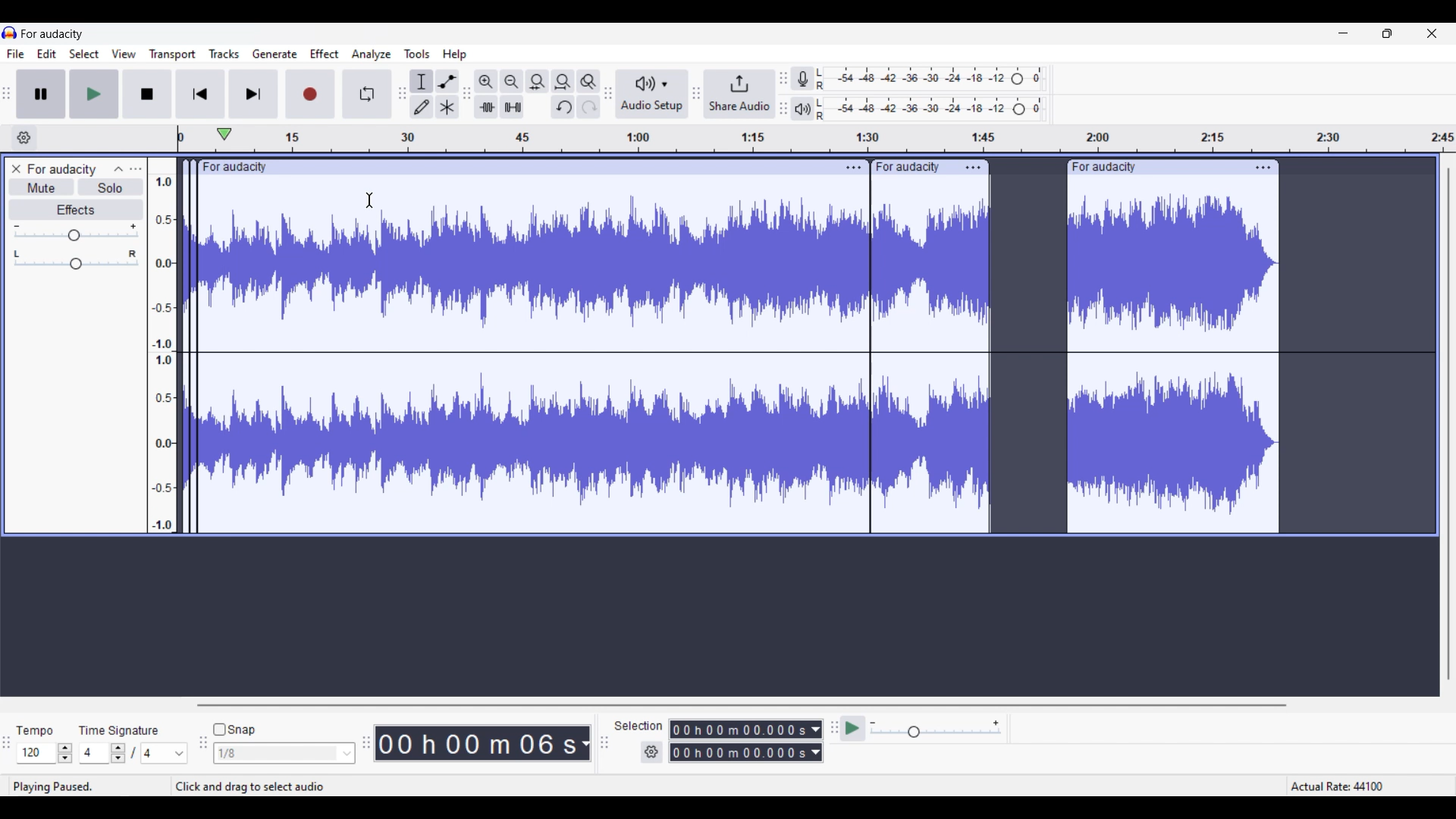  Describe the element at coordinates (853, 168) in the screenshot. I see `track options` at that location.